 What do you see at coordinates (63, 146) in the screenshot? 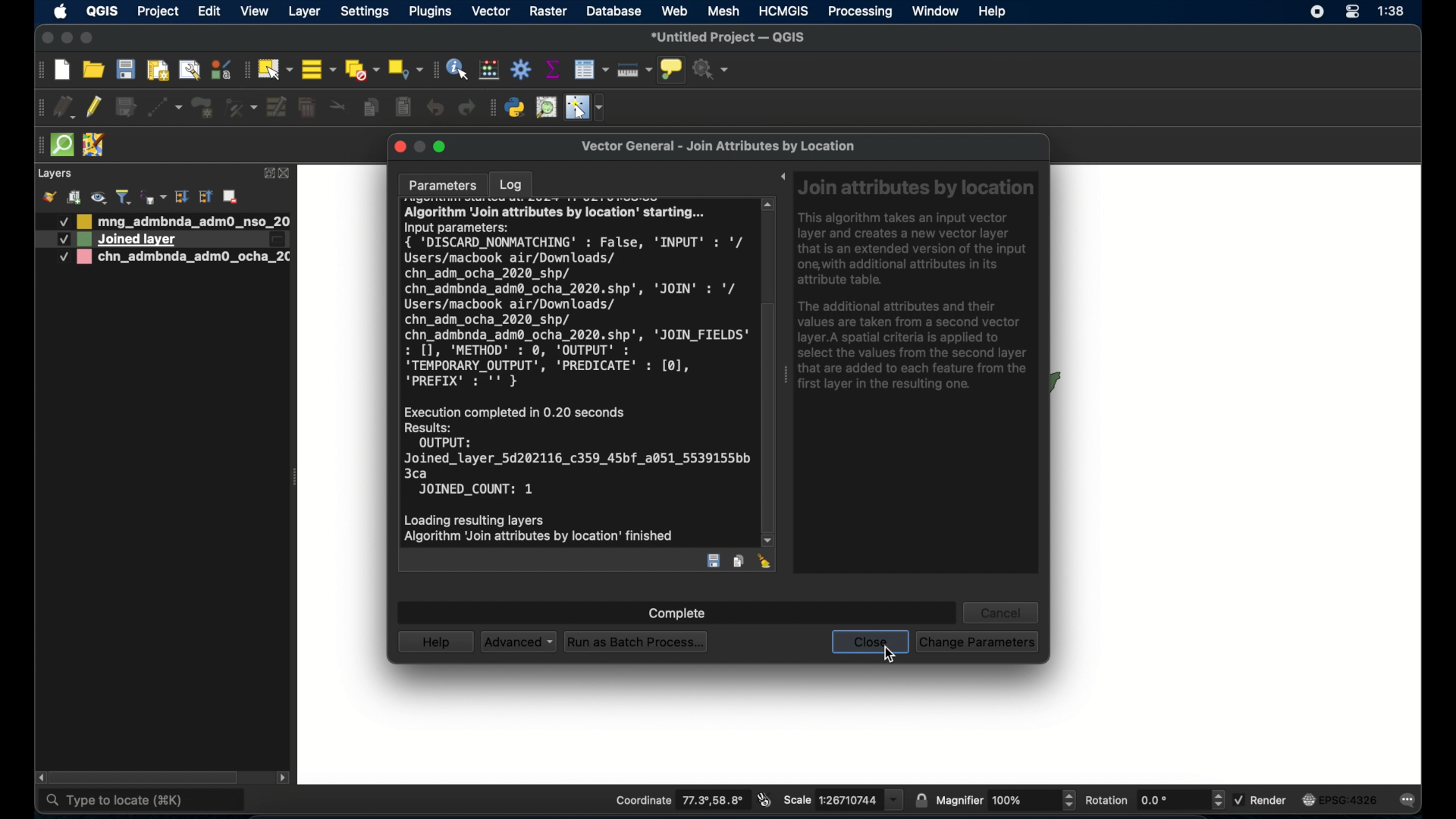
I see `quick osm` at bounding box center [63, 146].